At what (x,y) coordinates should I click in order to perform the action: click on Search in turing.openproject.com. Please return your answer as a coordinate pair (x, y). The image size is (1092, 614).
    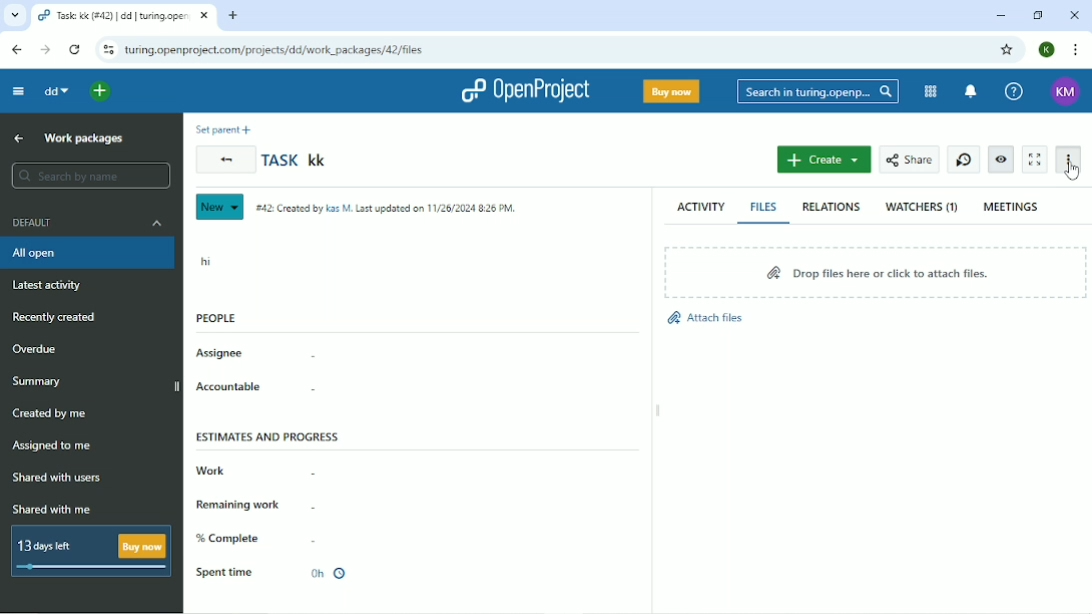
    Looking at the image, I should click on (819, 91).